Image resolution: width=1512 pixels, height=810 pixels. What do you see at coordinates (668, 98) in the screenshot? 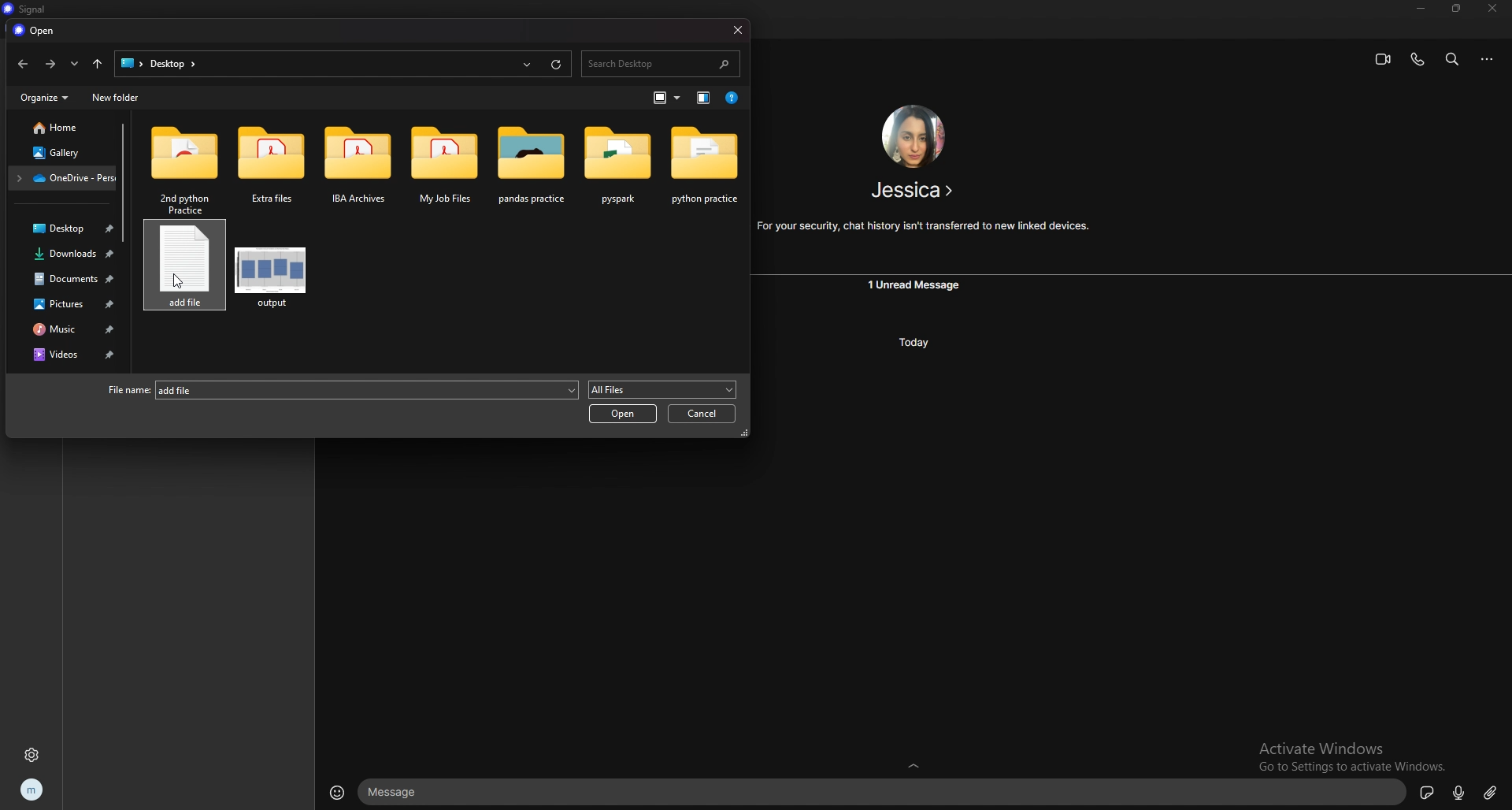
I see `change view` at bounding box center [668, 98].